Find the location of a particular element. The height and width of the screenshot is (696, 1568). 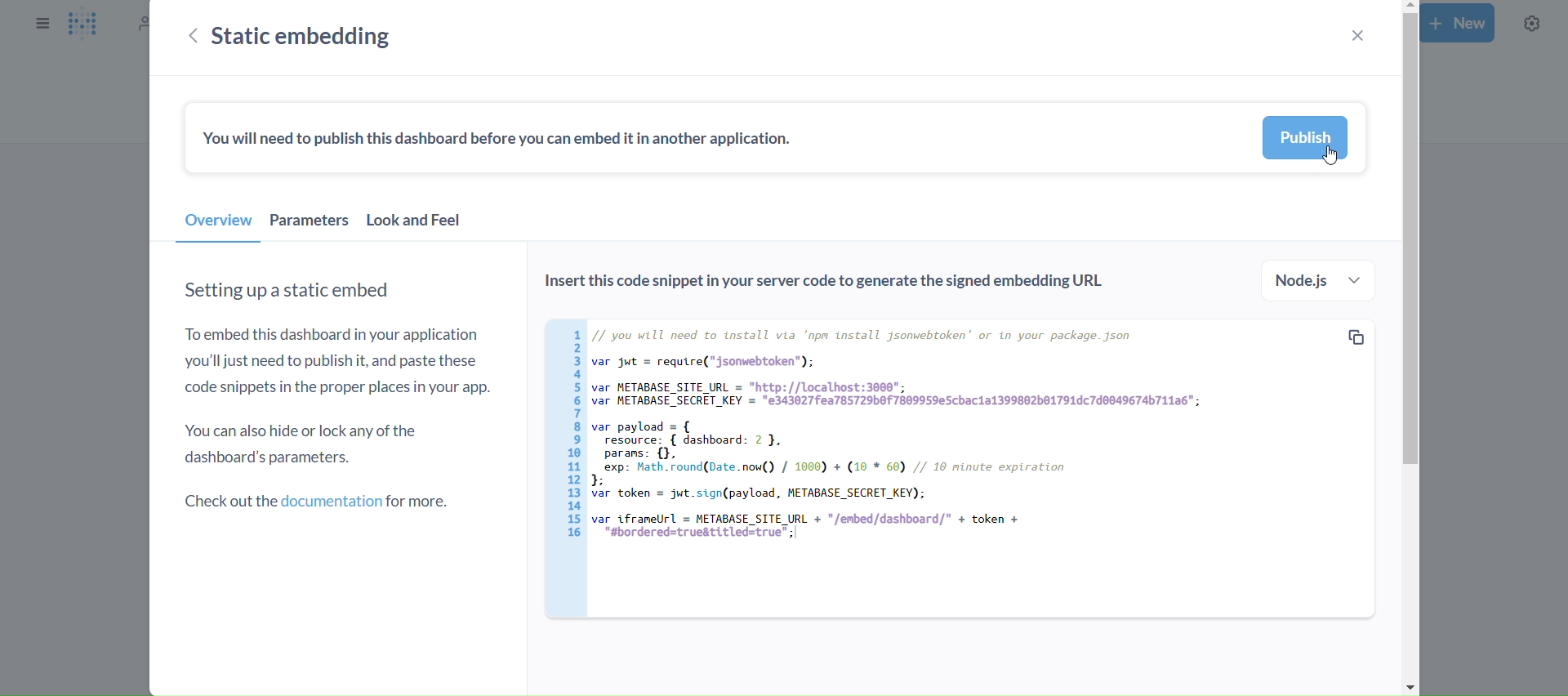

cursor is located at coordinates (1335, 156).